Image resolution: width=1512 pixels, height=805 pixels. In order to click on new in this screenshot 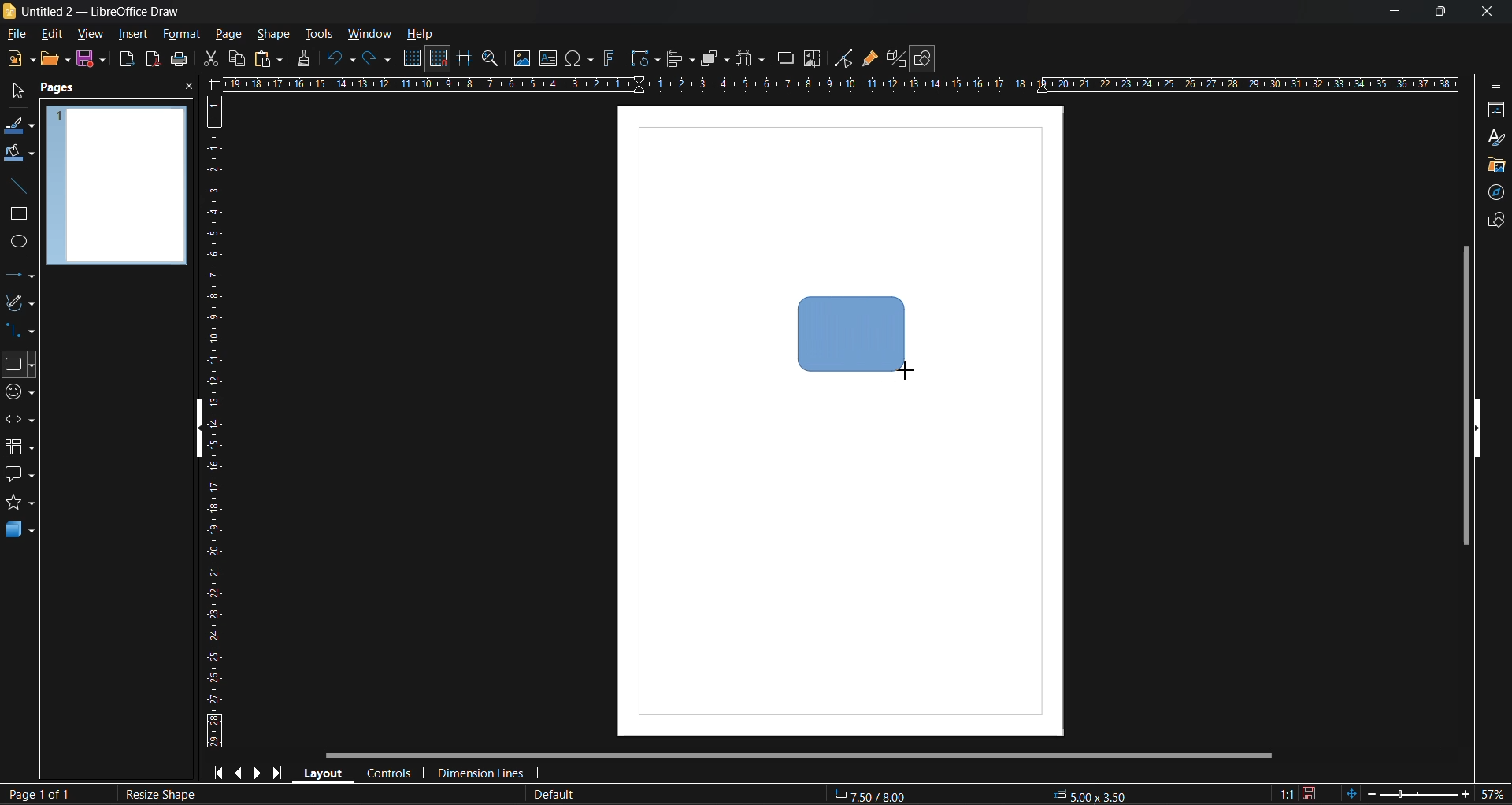, I will do `click(20, 58)`.